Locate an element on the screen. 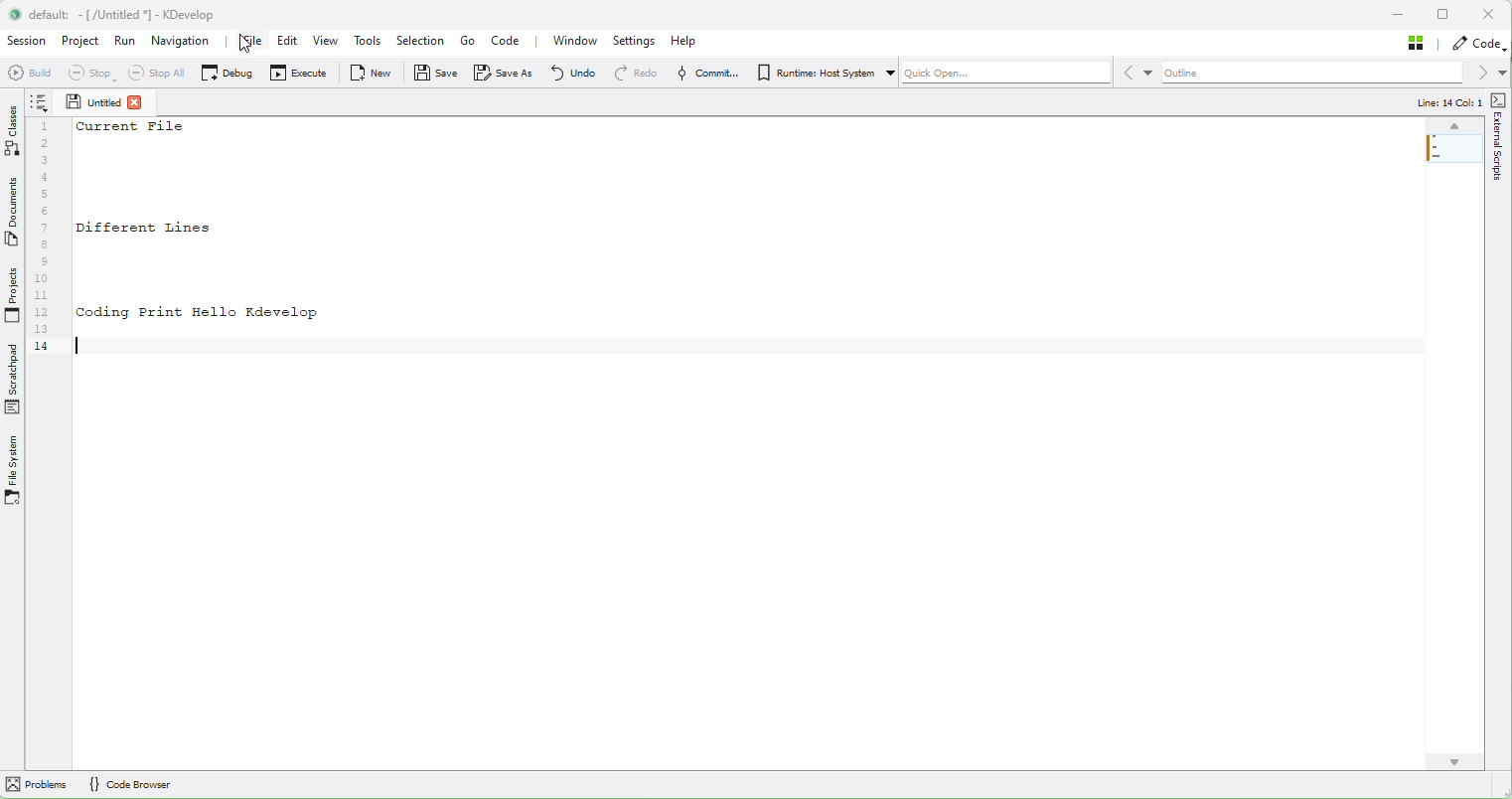  close tab is located at coordinates (137, 102).